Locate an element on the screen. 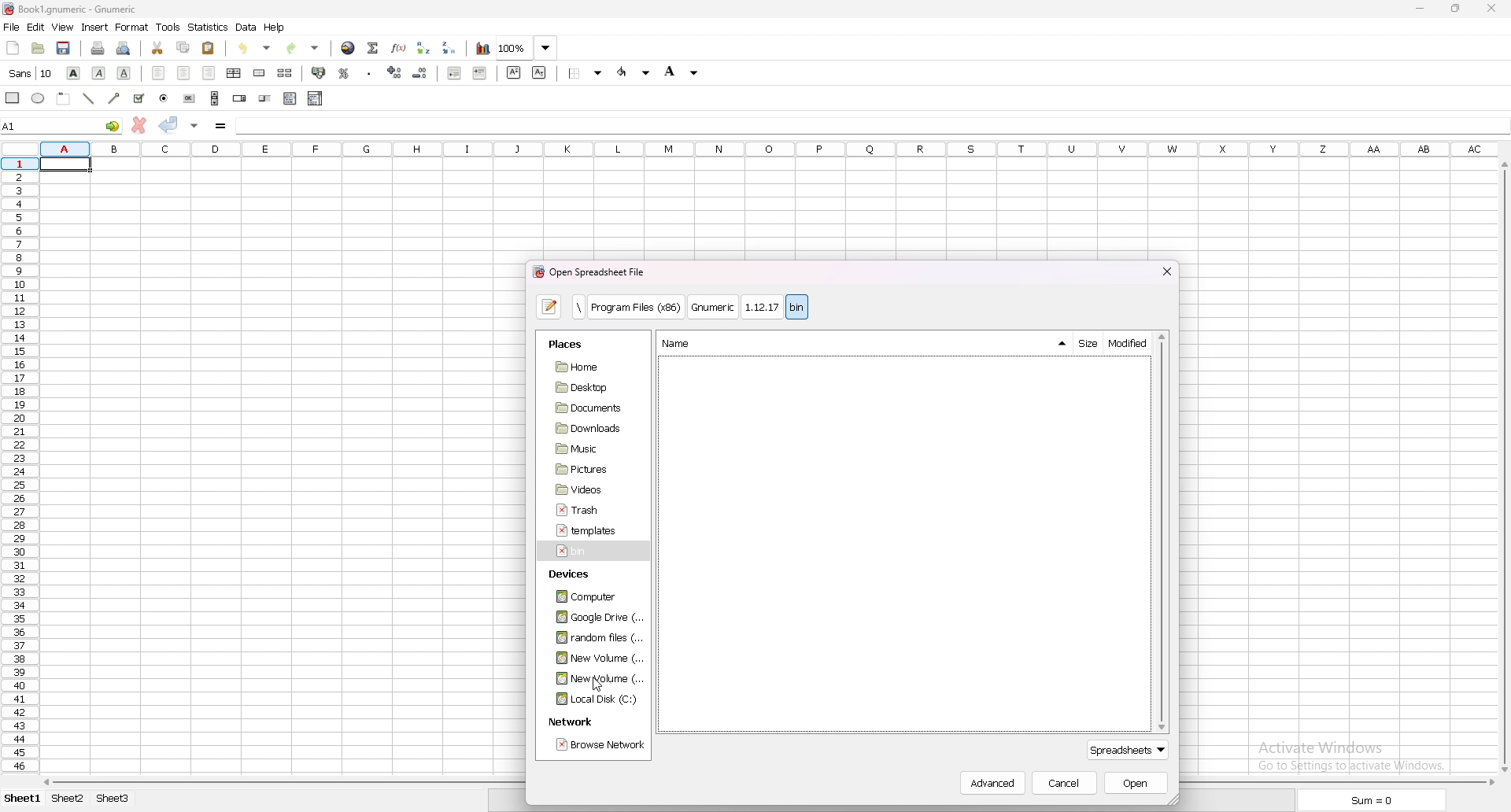 Image resolution: width=1511 pixels, height=812 pixels. copy is located at coordinates (183, 47).